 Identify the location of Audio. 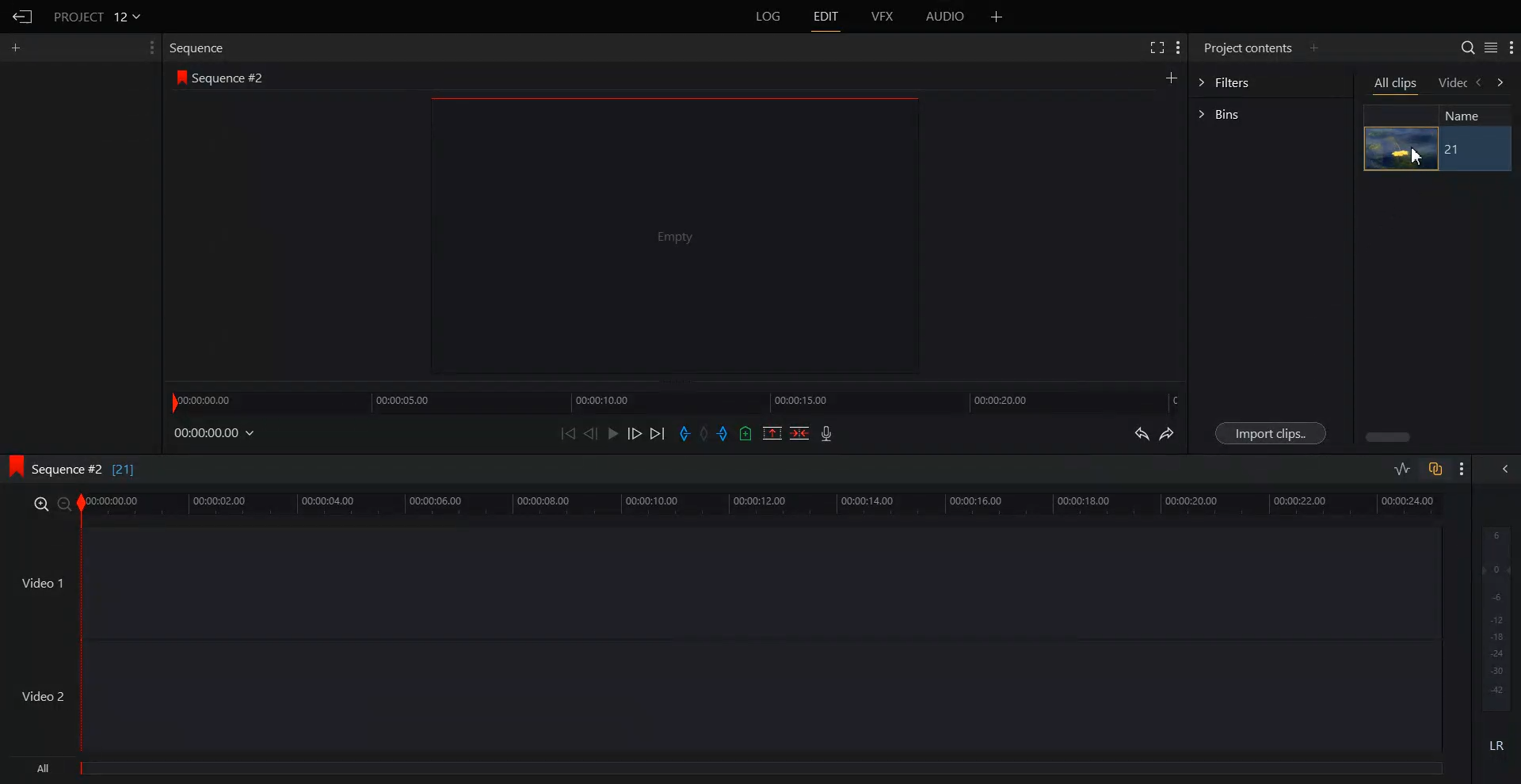
(947, 17).